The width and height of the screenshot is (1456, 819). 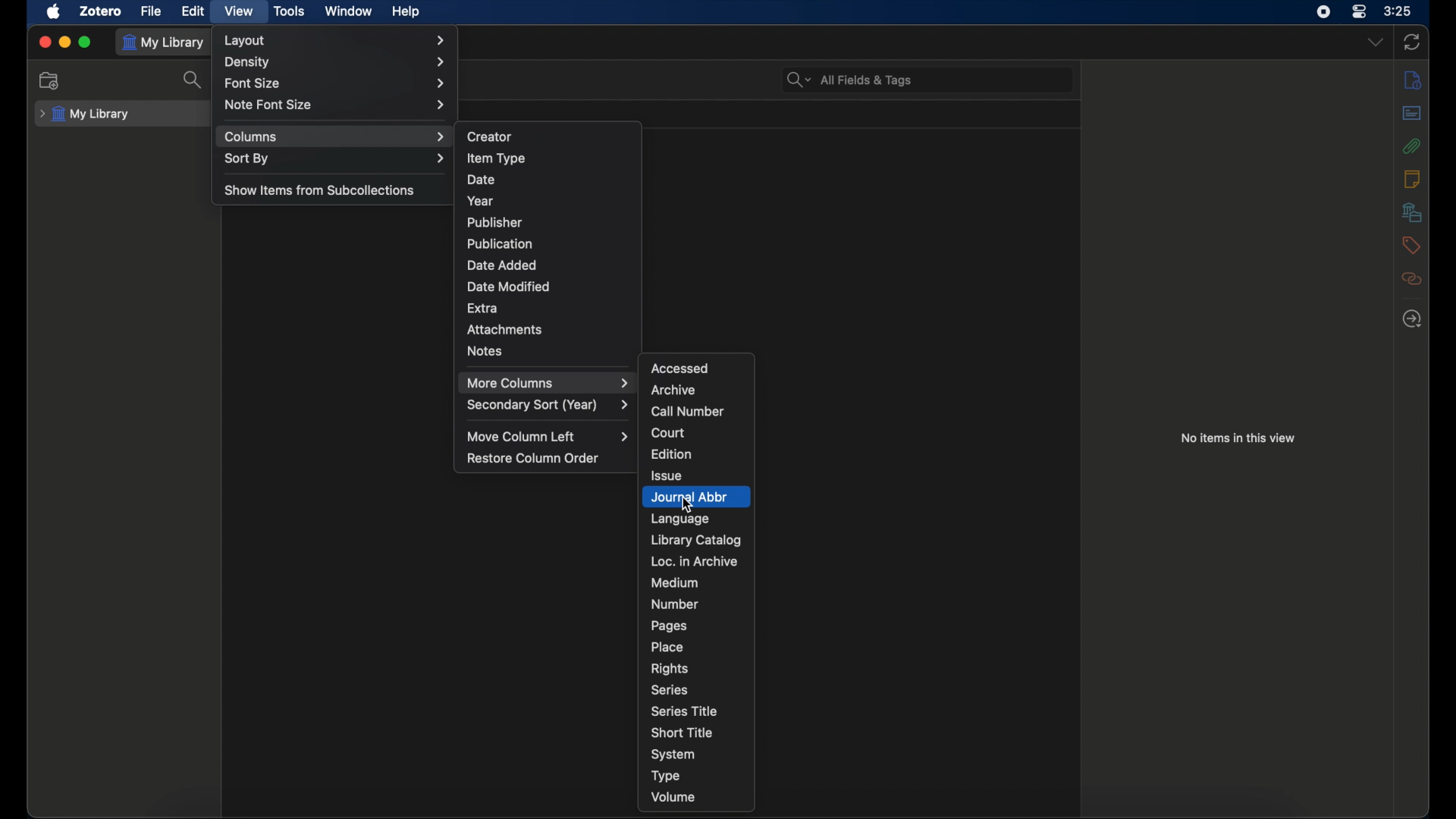 I want to click on minimize, so click(x=65, y=42).